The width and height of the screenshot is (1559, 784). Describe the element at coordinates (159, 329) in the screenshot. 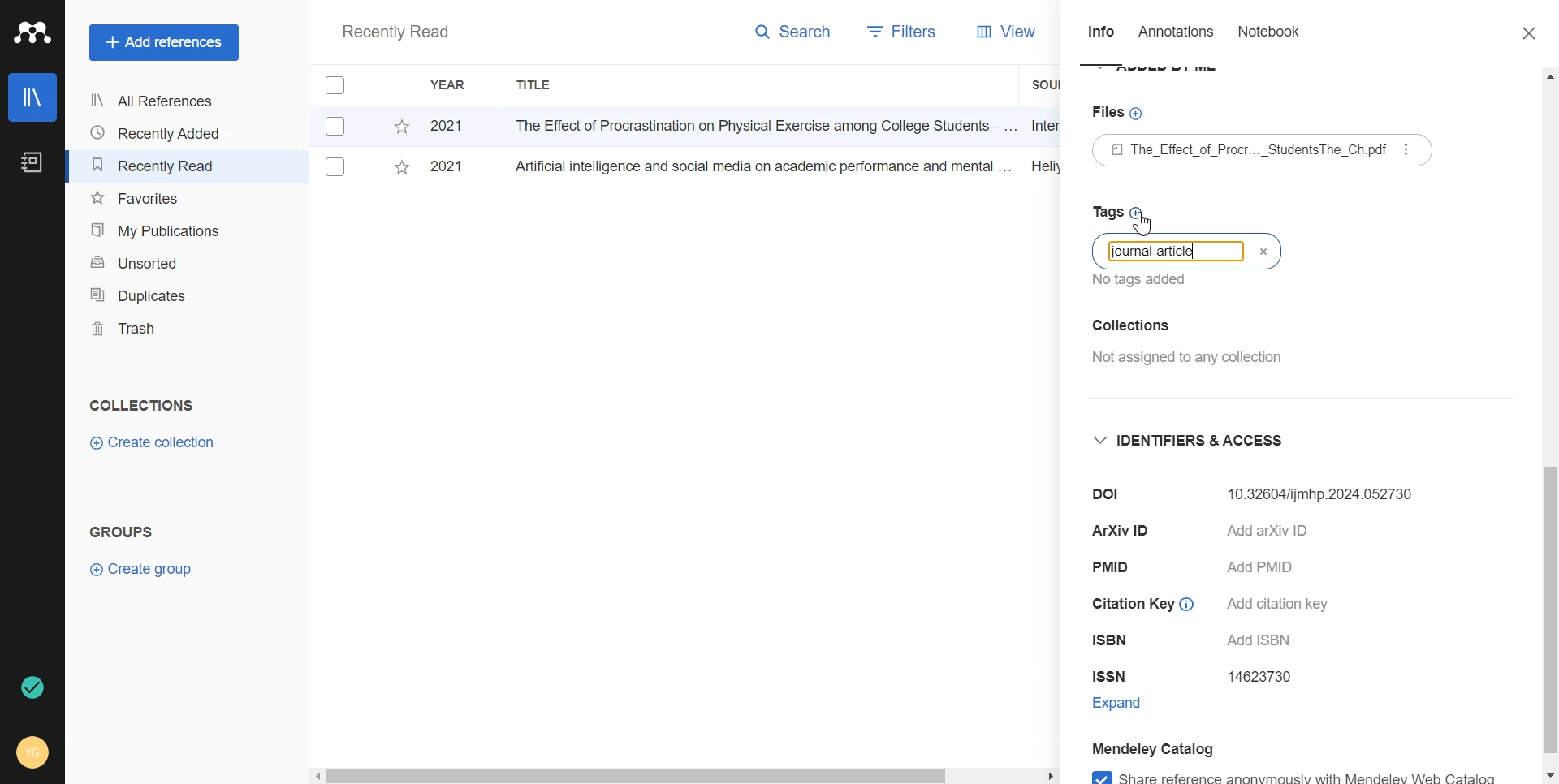

I see `Trash` at that location.